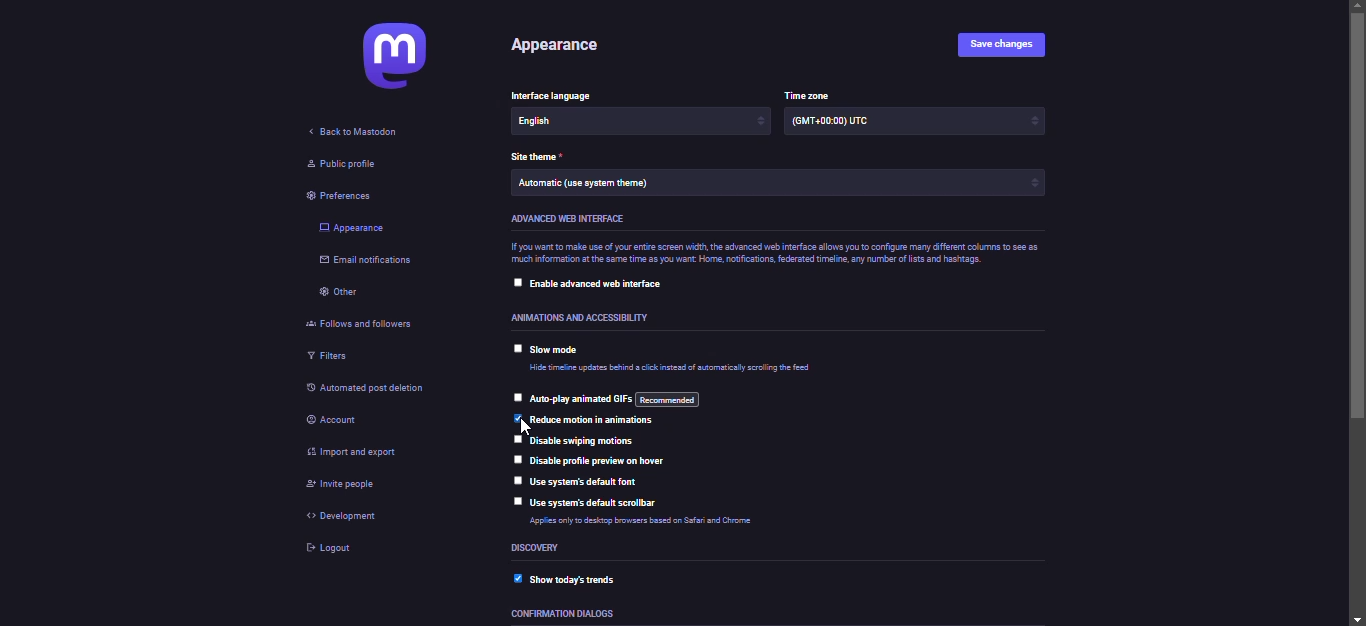 Image resolution: width=1366 pixels, height=626 pixels. Describe the element at coordinates (517, 501) in the screenshot. I see `click to select` at that location.